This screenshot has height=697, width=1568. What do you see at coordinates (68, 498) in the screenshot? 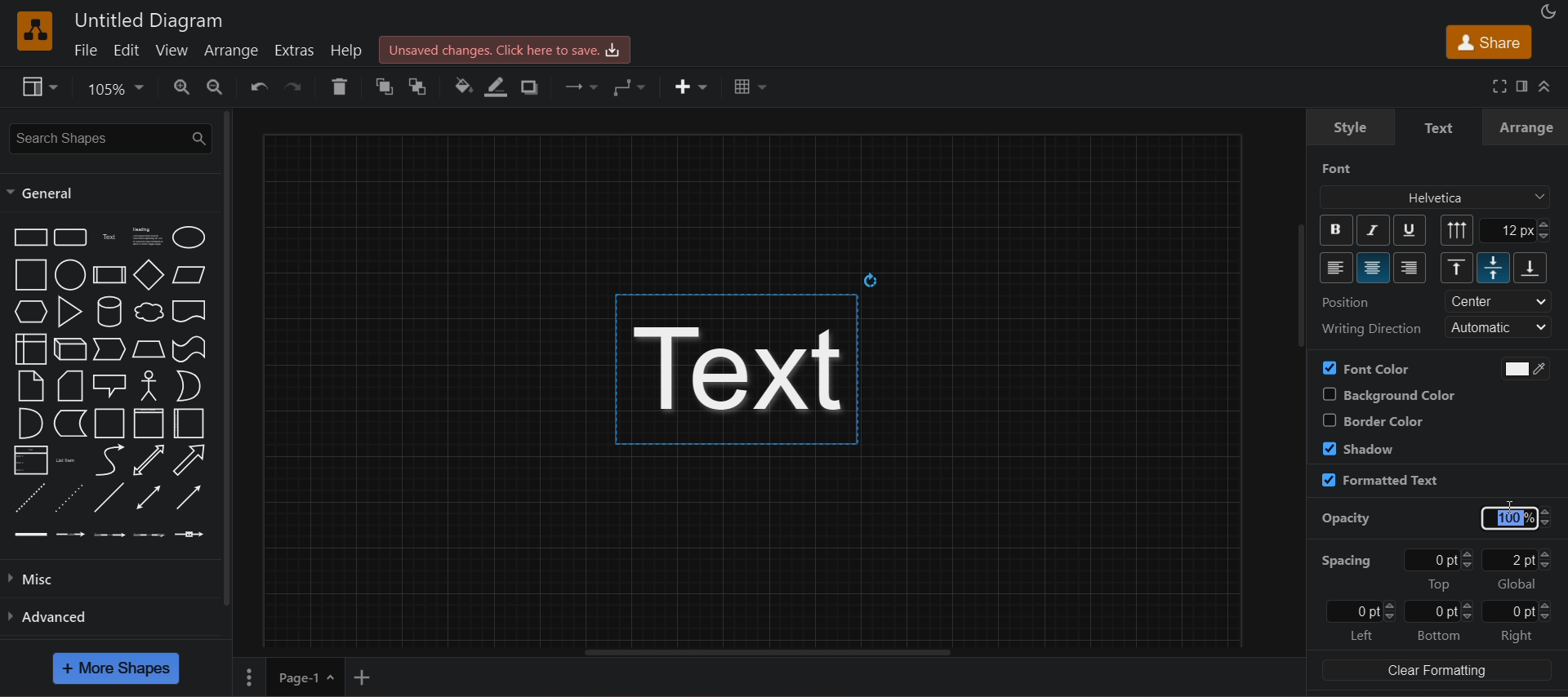
I see `dotted line` at bounding box center [68, 498].